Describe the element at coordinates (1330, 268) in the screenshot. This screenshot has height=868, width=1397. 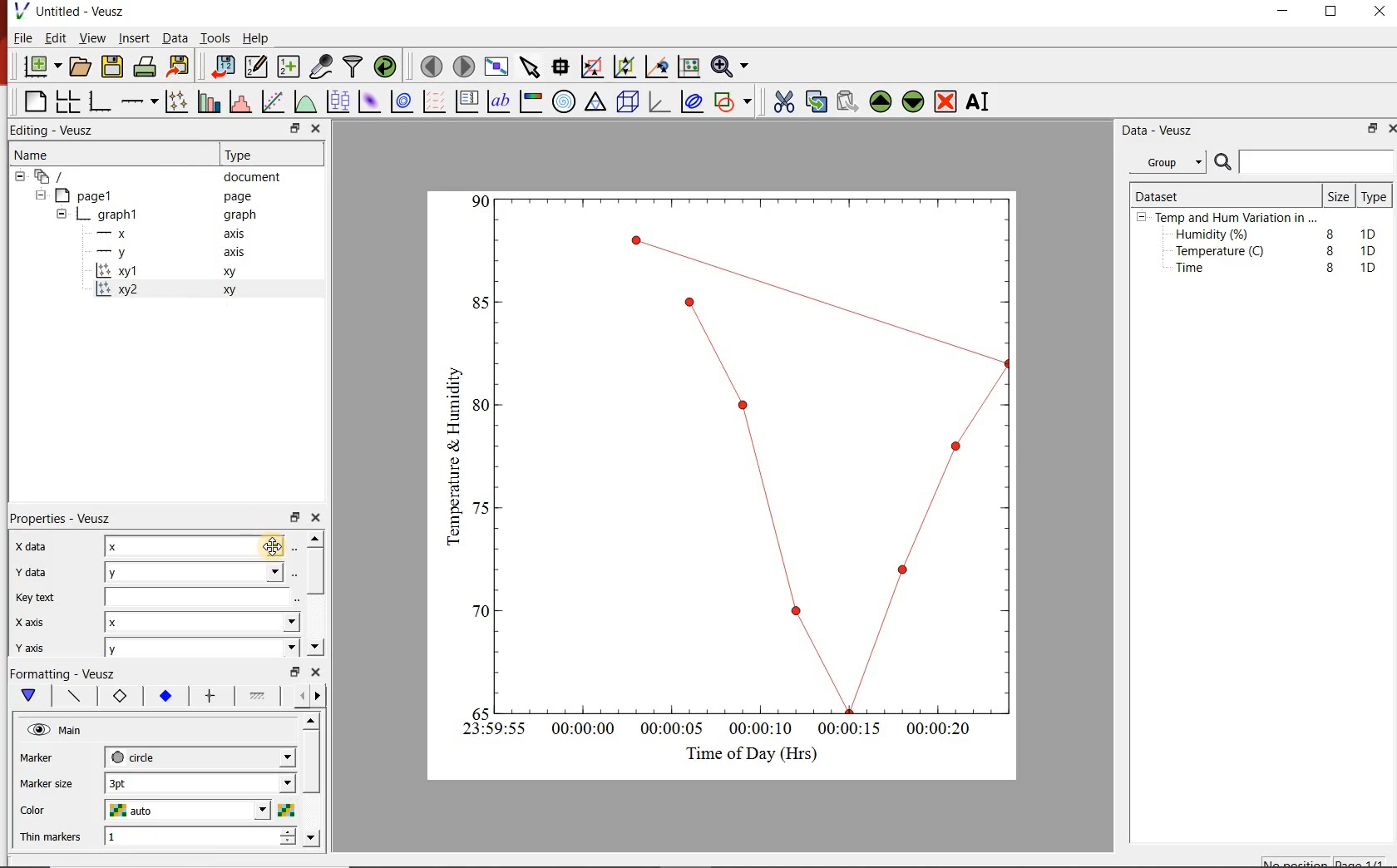
I see `8` at that location.